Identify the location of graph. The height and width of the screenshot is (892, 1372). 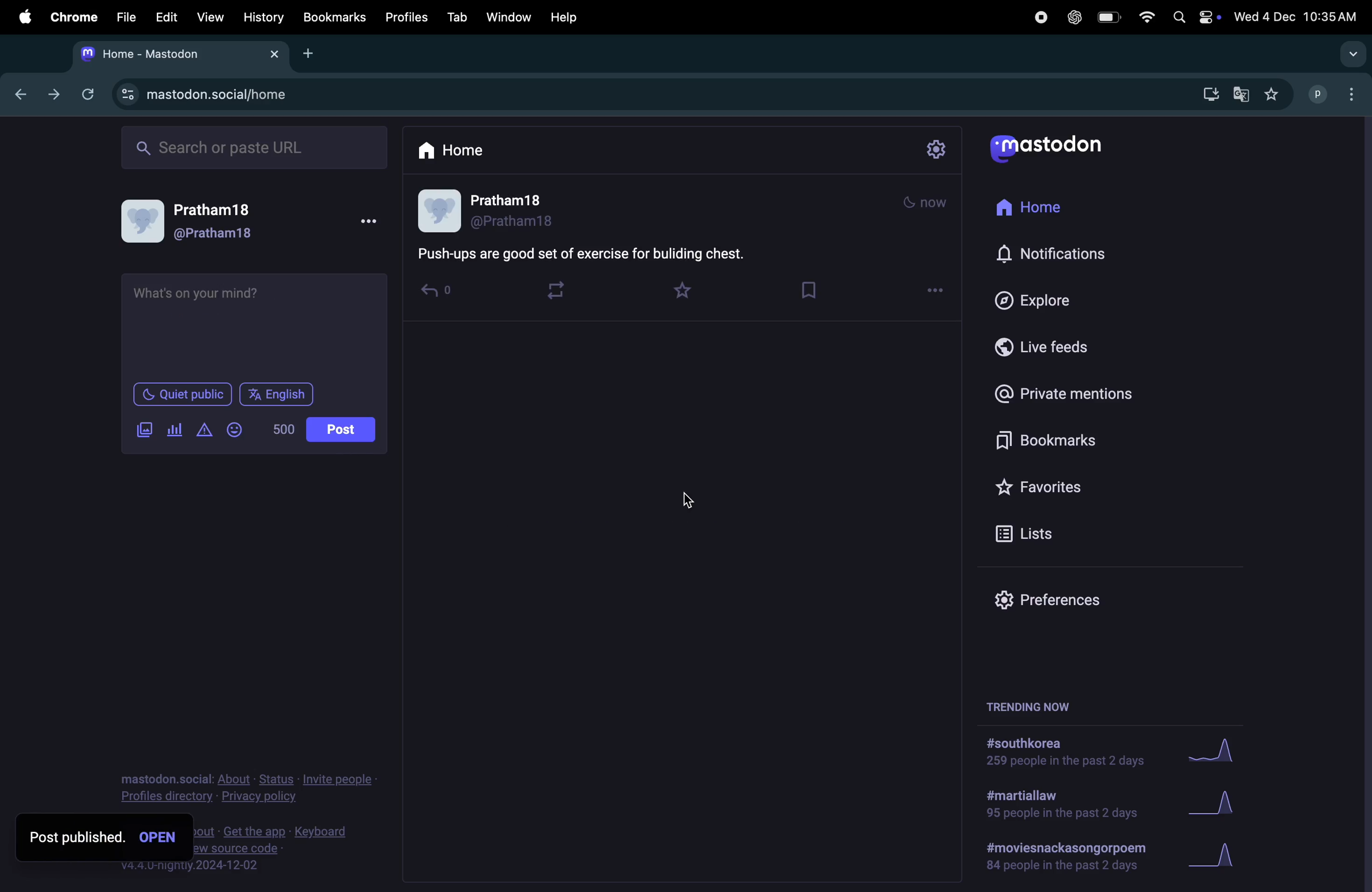
(1220, 856).